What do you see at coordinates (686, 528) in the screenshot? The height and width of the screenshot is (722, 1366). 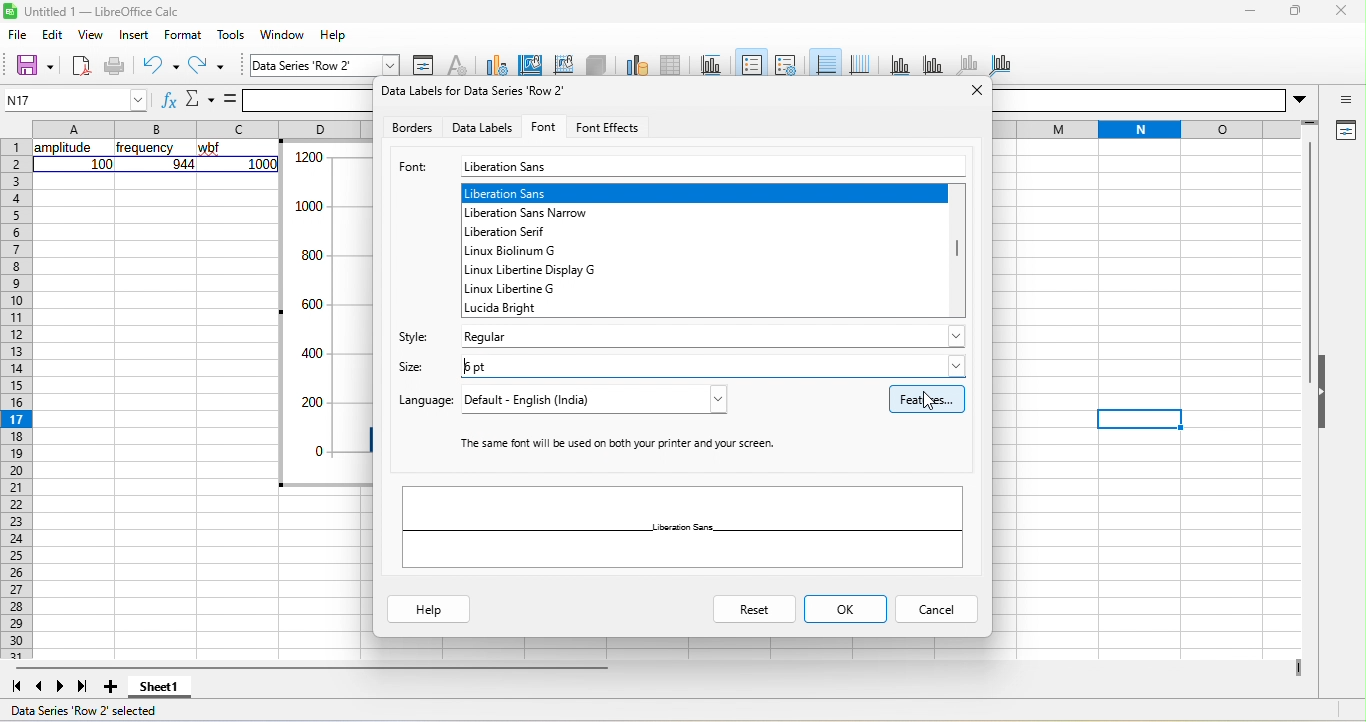 I see `liberation sans` at bounding box center [686, 528].